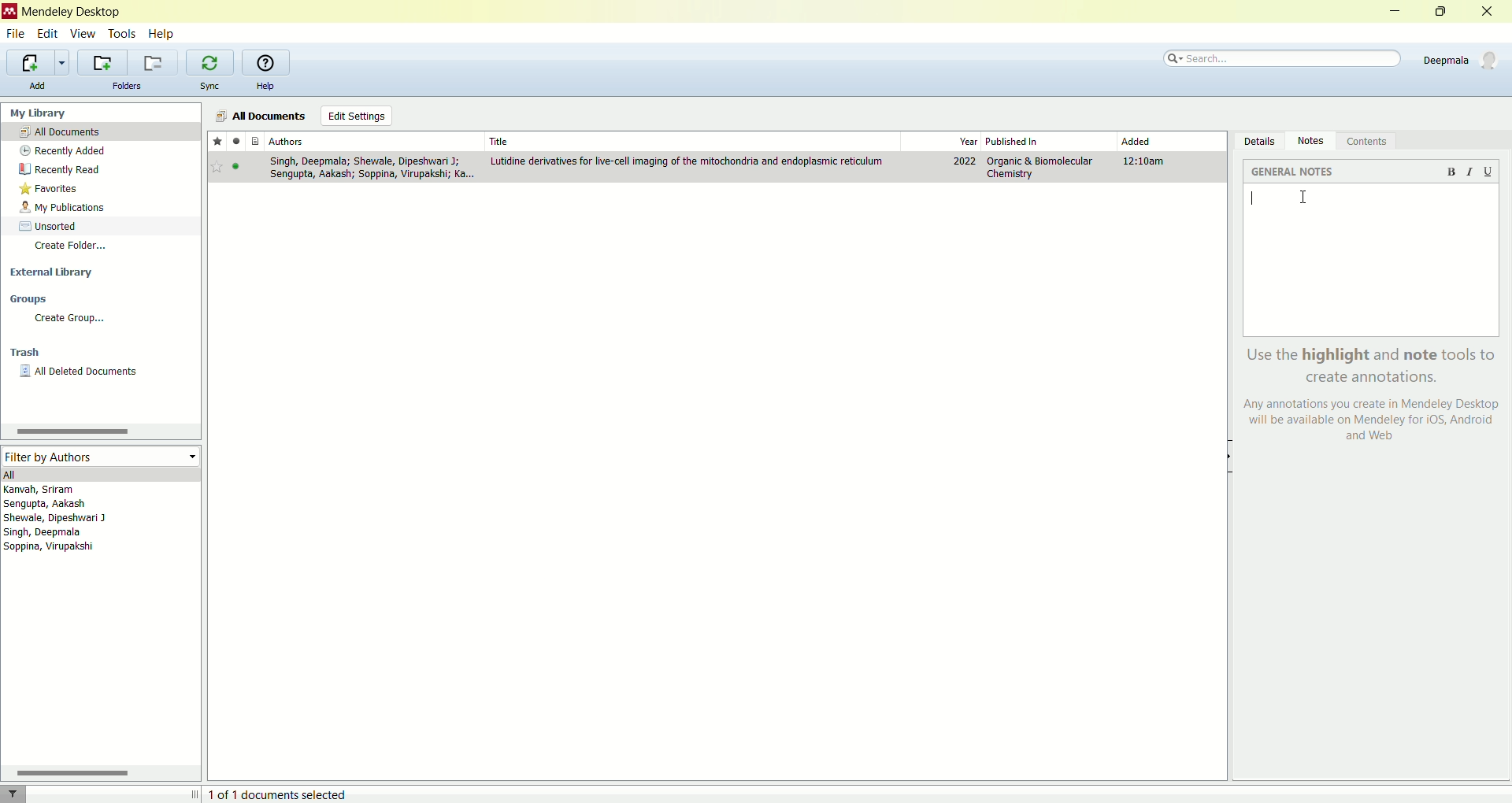 The image size is (1512, 803). Describe the element at coordinates (101, 474) in the screenshot. I see `all` at that location.